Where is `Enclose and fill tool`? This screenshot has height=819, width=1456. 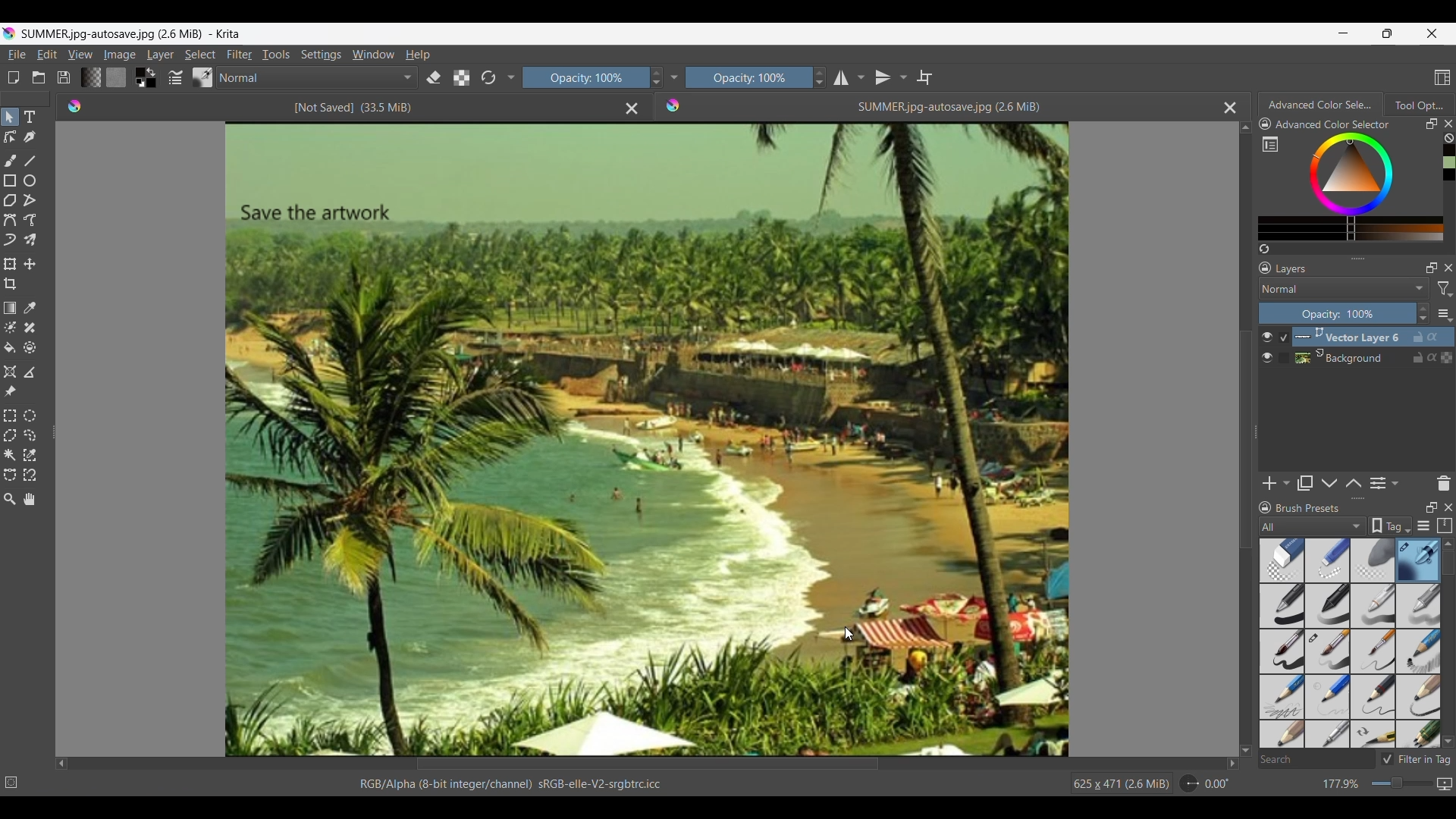 Enclose and fill tool is located at coordinates (29, 347).